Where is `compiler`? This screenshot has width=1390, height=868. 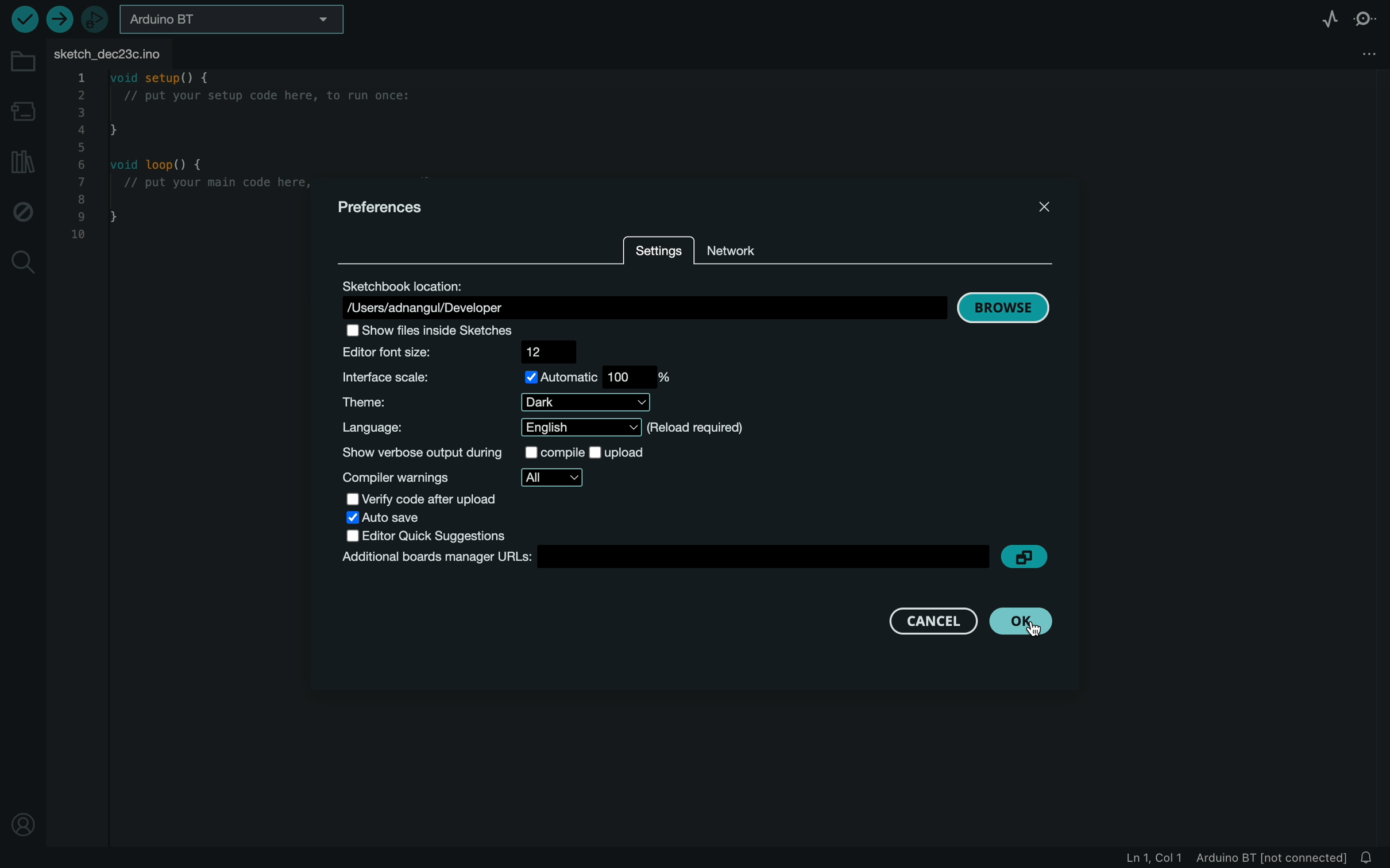 compiler is located at coordinates (505, 474).